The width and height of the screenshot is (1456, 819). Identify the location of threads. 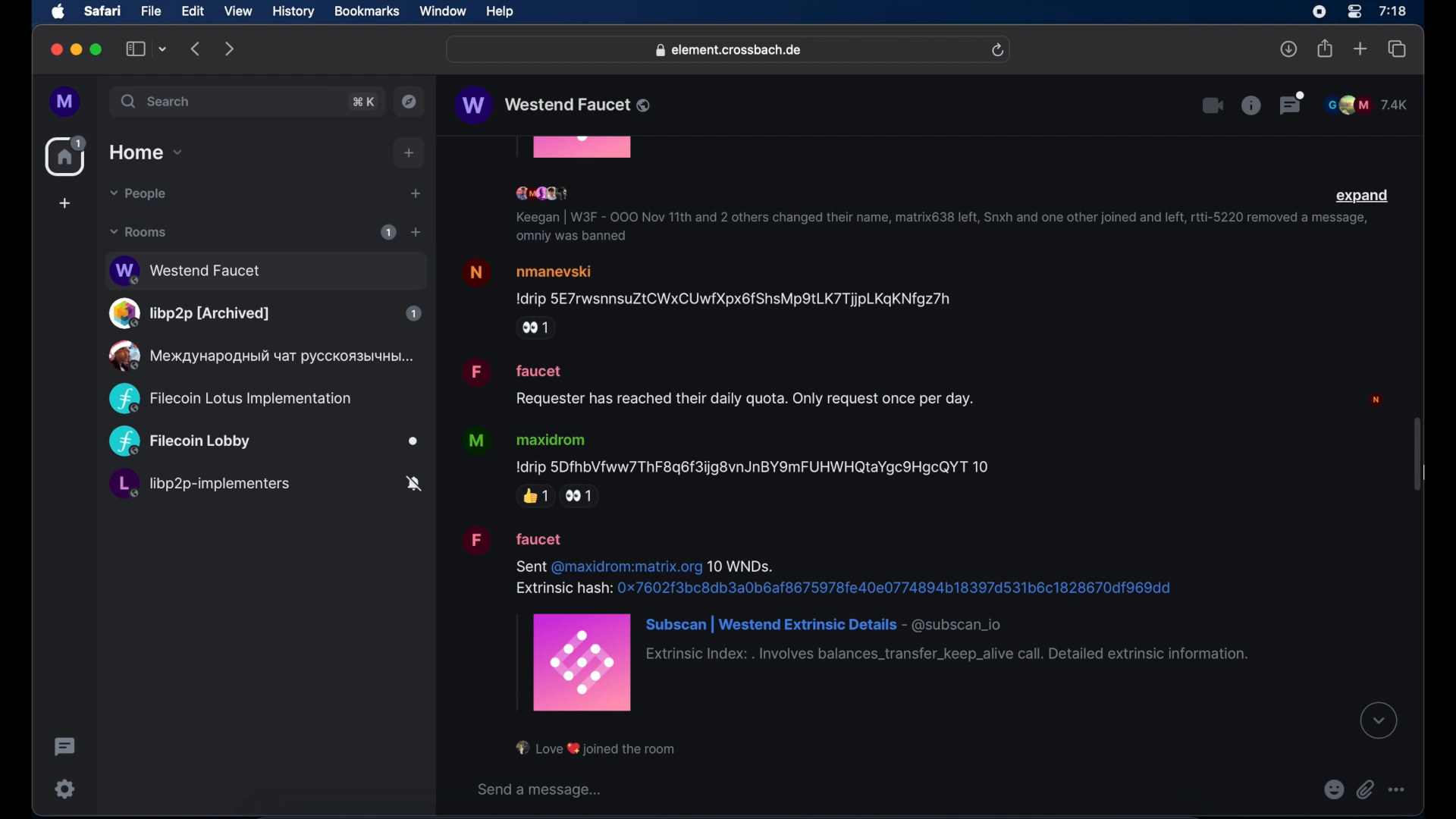
(1293, 103).